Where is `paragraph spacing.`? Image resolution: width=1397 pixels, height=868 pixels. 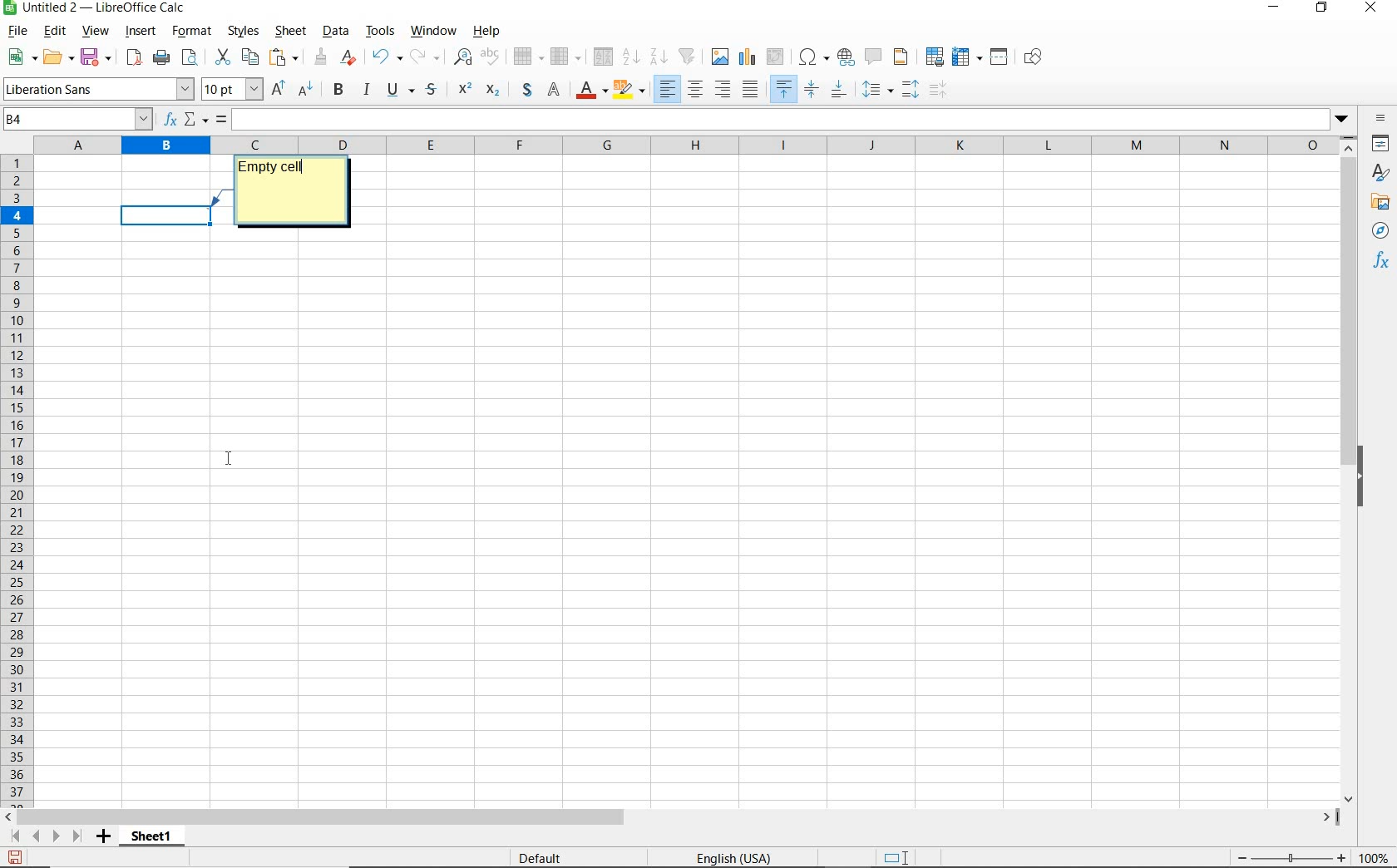
paragraph spacing. is located at coordinates (911, 90).